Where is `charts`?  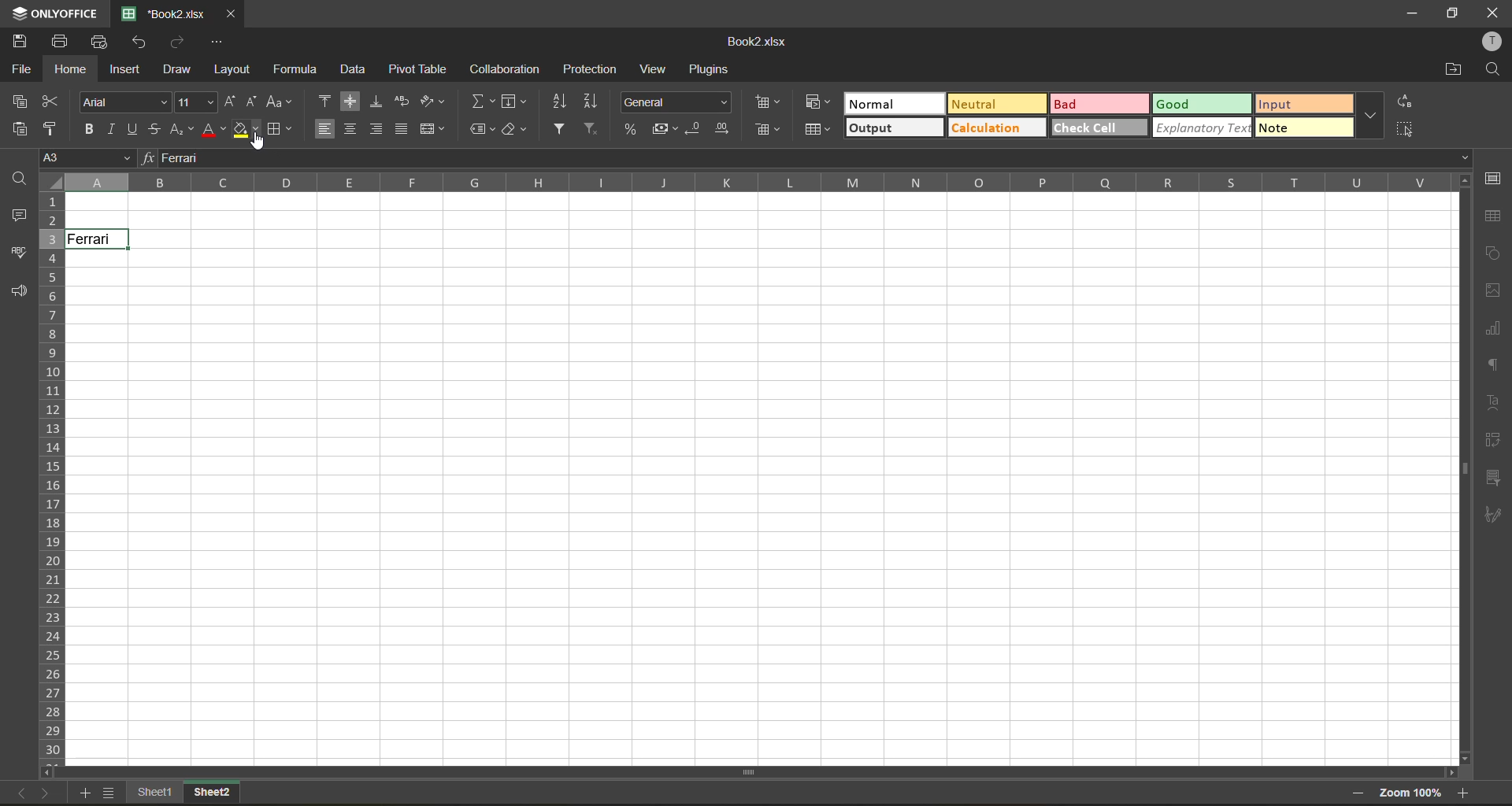 charts is located at coordinates (1495, 329).